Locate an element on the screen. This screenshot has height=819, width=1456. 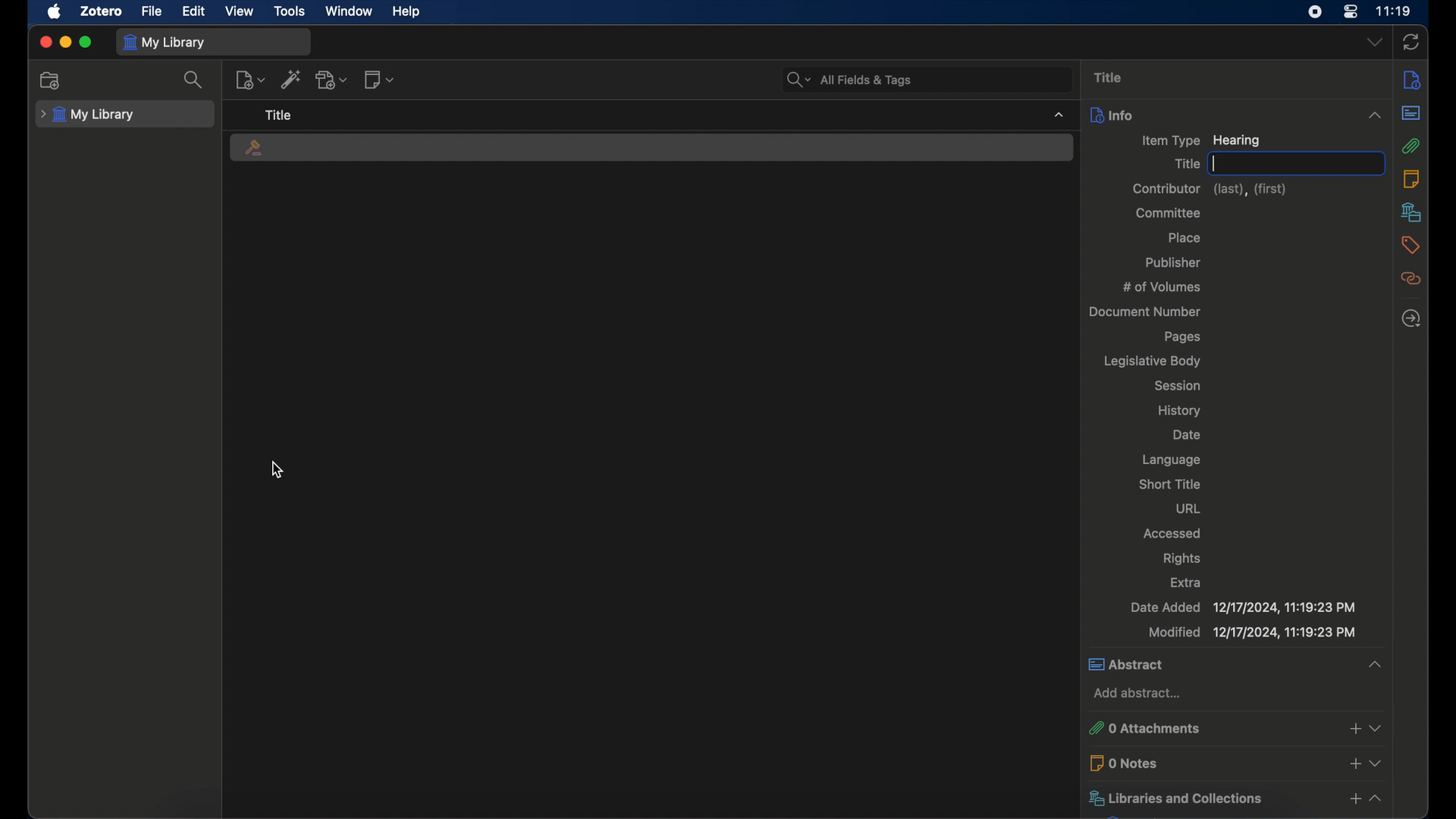
info is located at coordinates (1237, 115).